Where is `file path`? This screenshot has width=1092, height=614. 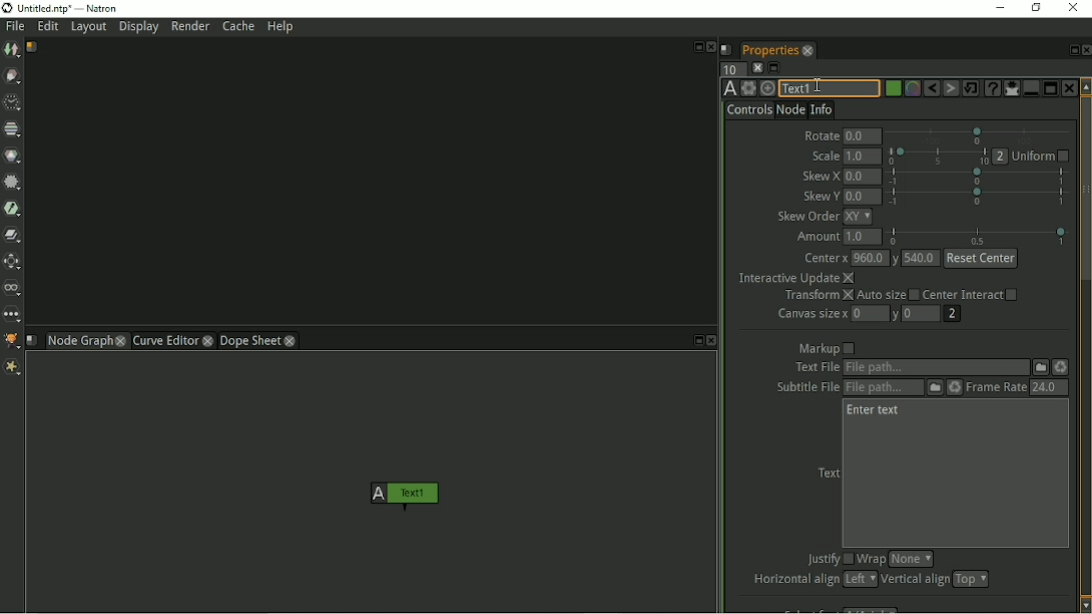
file path is located at coordinates (883, 388).